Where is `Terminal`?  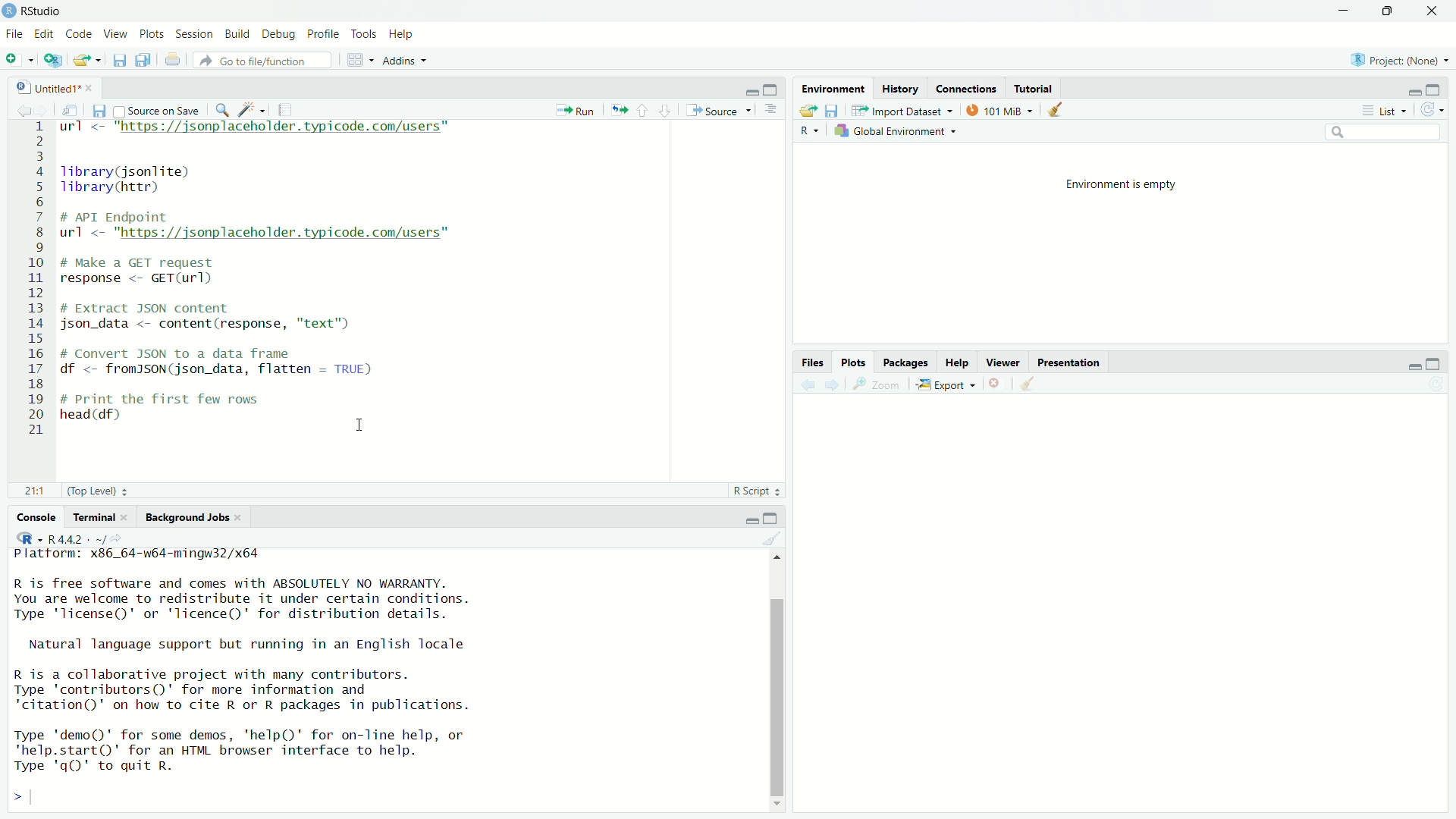
Terminal is located at coordinates (102, 518).